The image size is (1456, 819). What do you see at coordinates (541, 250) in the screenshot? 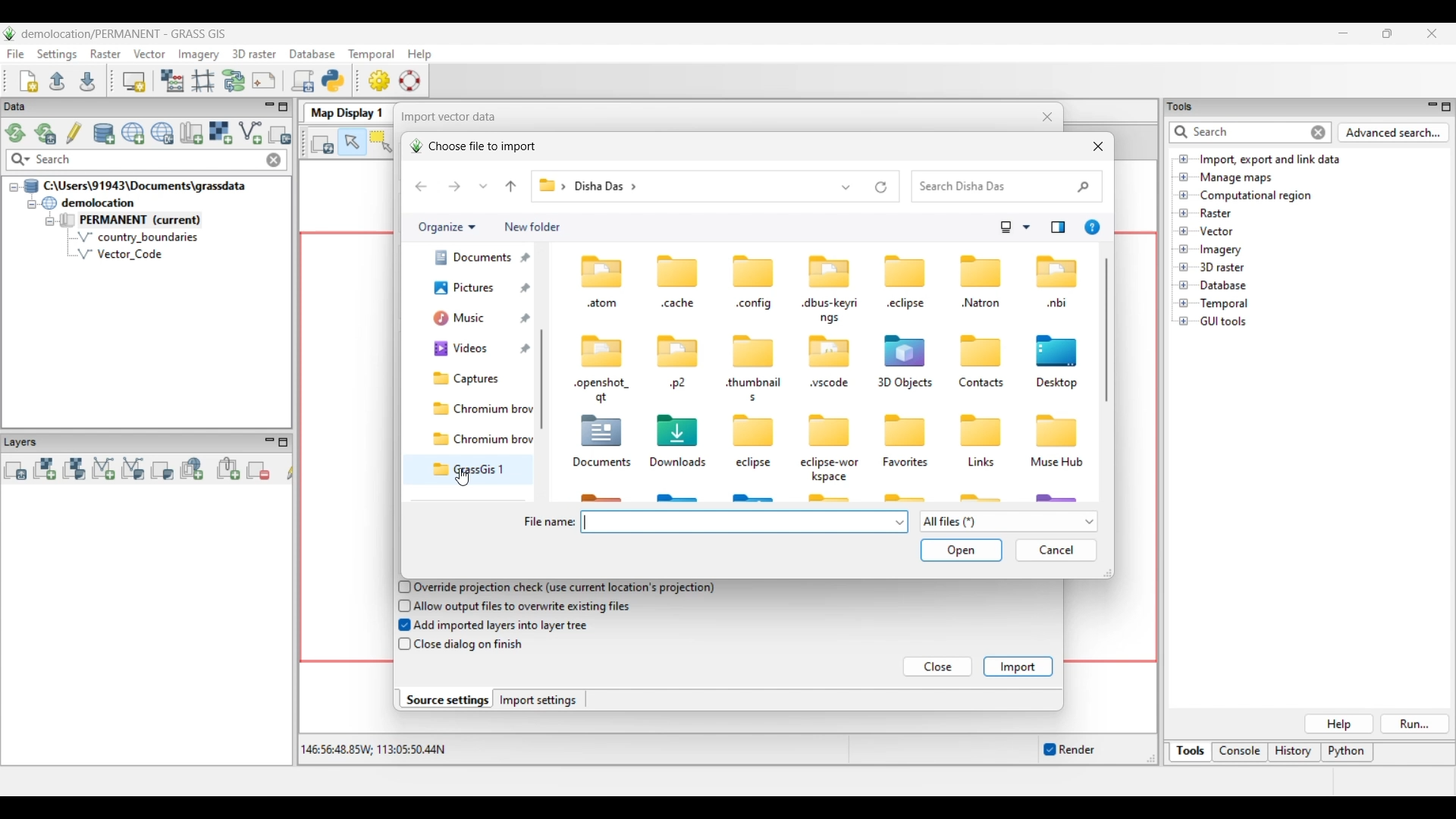
I see `Quick slide to top` at bounding box center [541, 250].